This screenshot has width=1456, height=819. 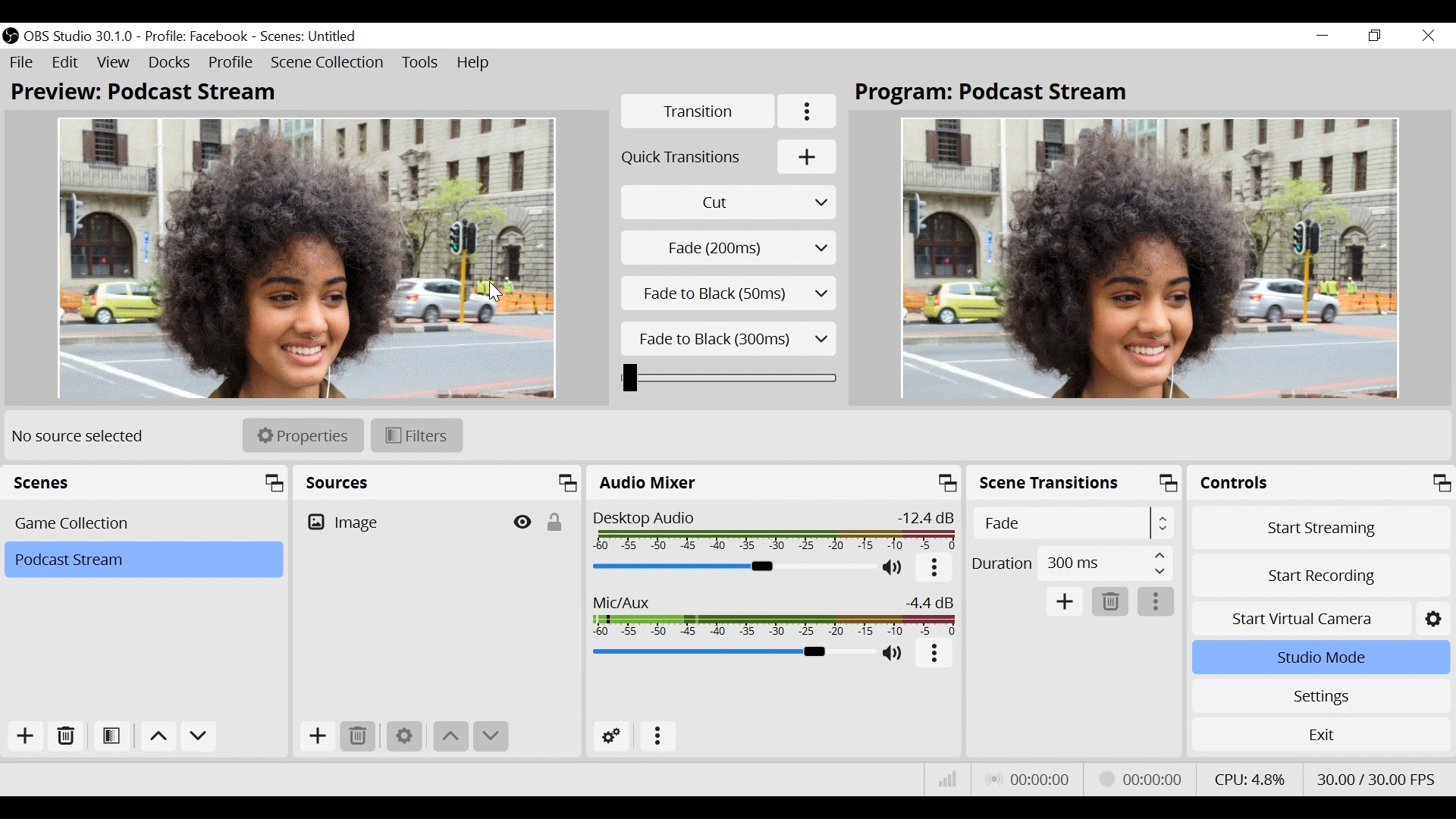 I want to click on OBS Version, so click(x=80, y=37).